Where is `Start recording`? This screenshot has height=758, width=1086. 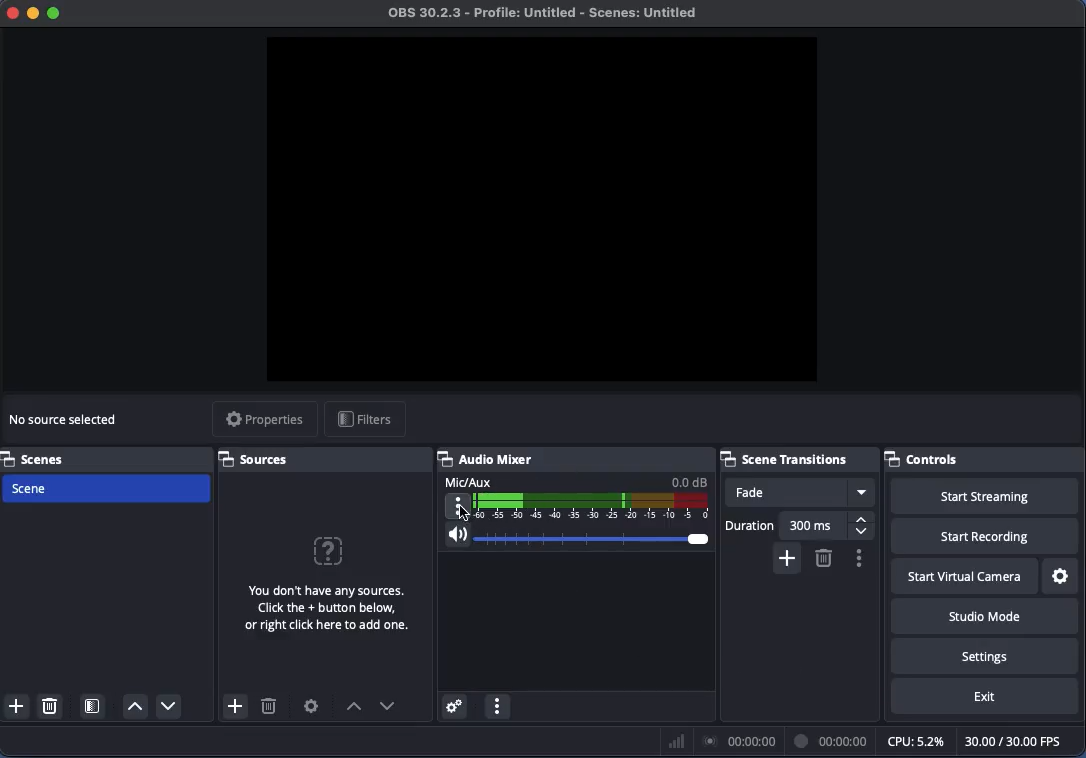
Start recording is located at coordinates (985, 537).